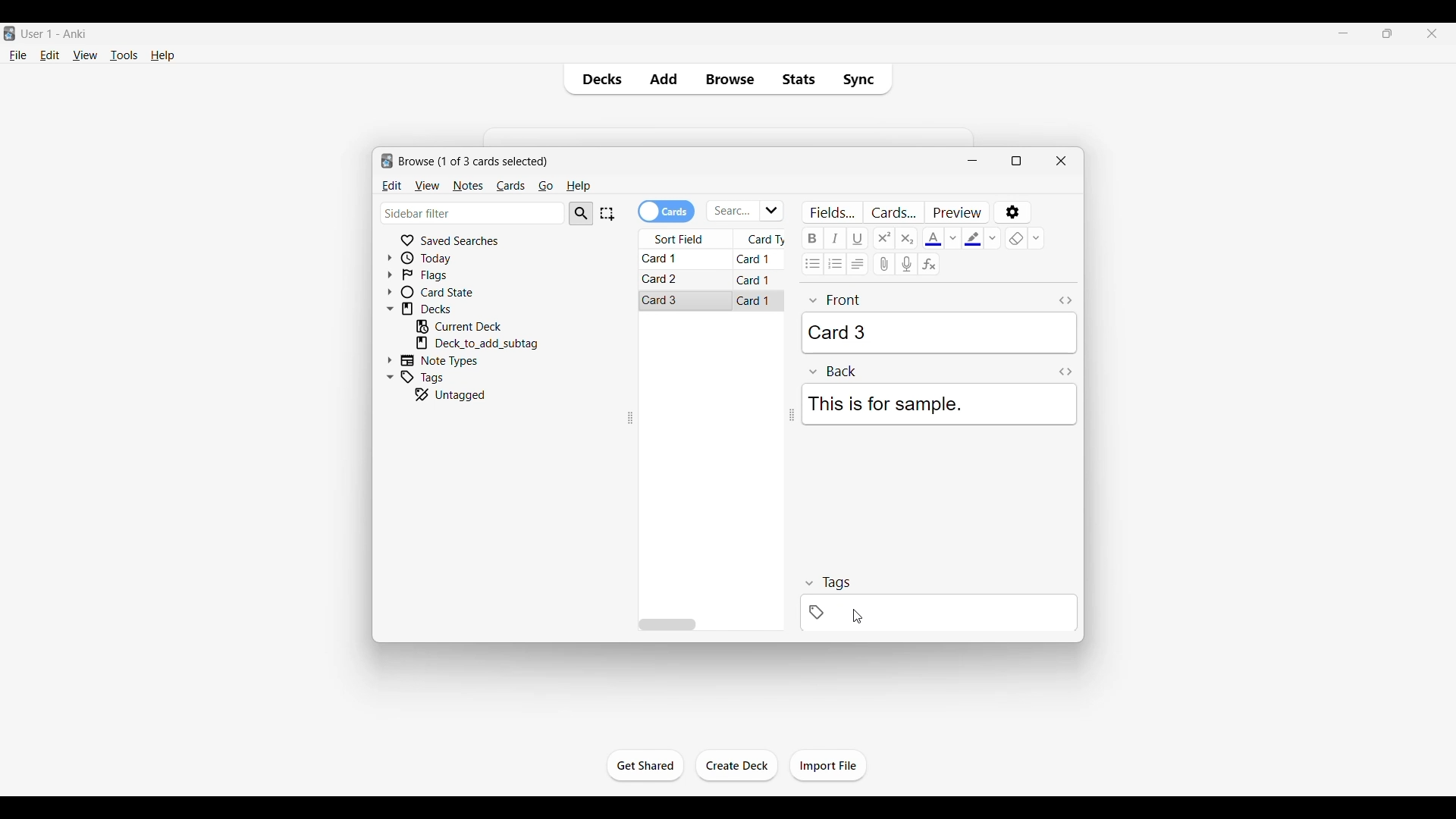 The image size is (1456, 819). I want to click on Ordered list, so click(834, 264).